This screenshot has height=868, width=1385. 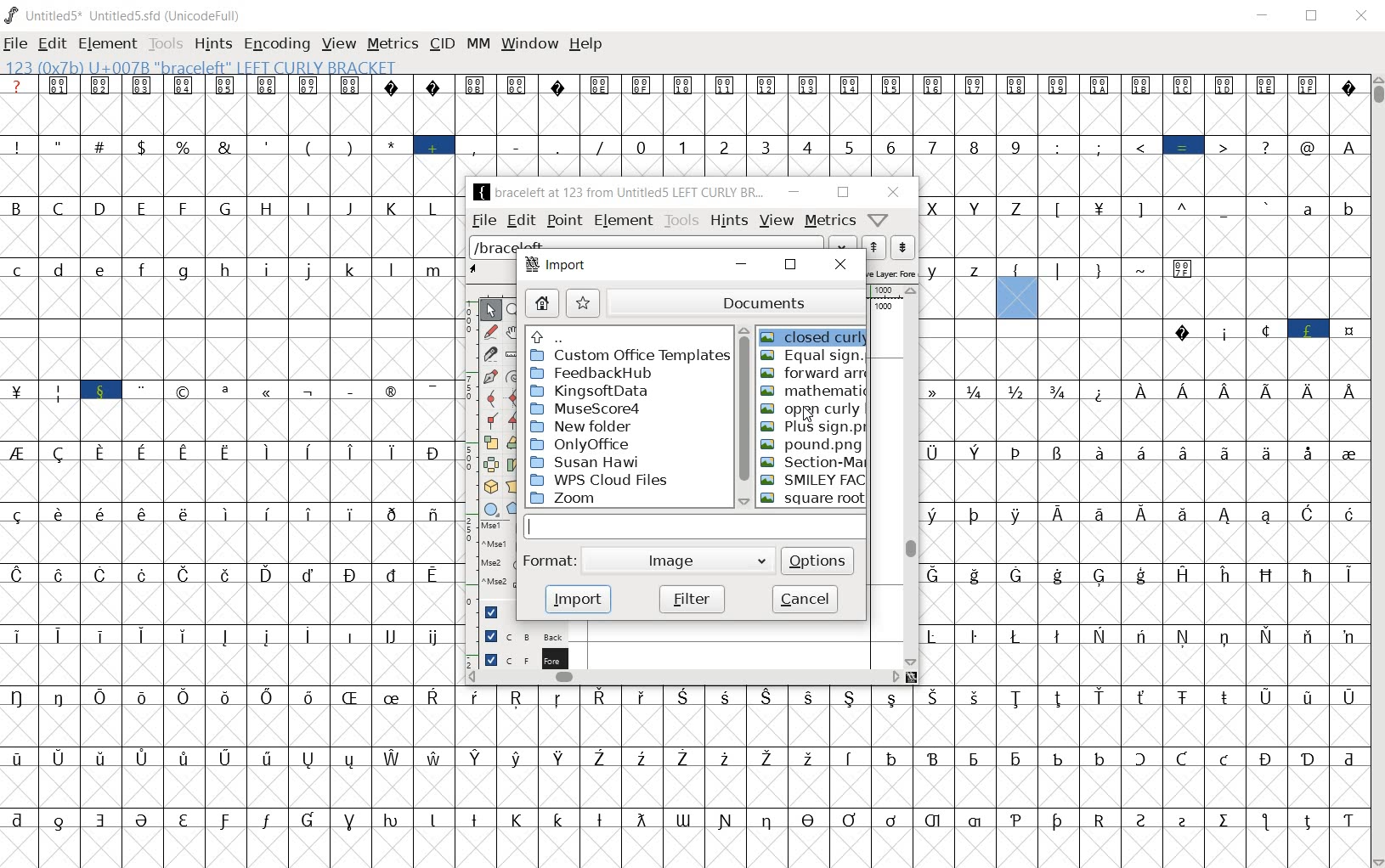 What do you see at coordinates (276, 42) in the screenshot?
I see `encoding` at bounding box center [276, 42].